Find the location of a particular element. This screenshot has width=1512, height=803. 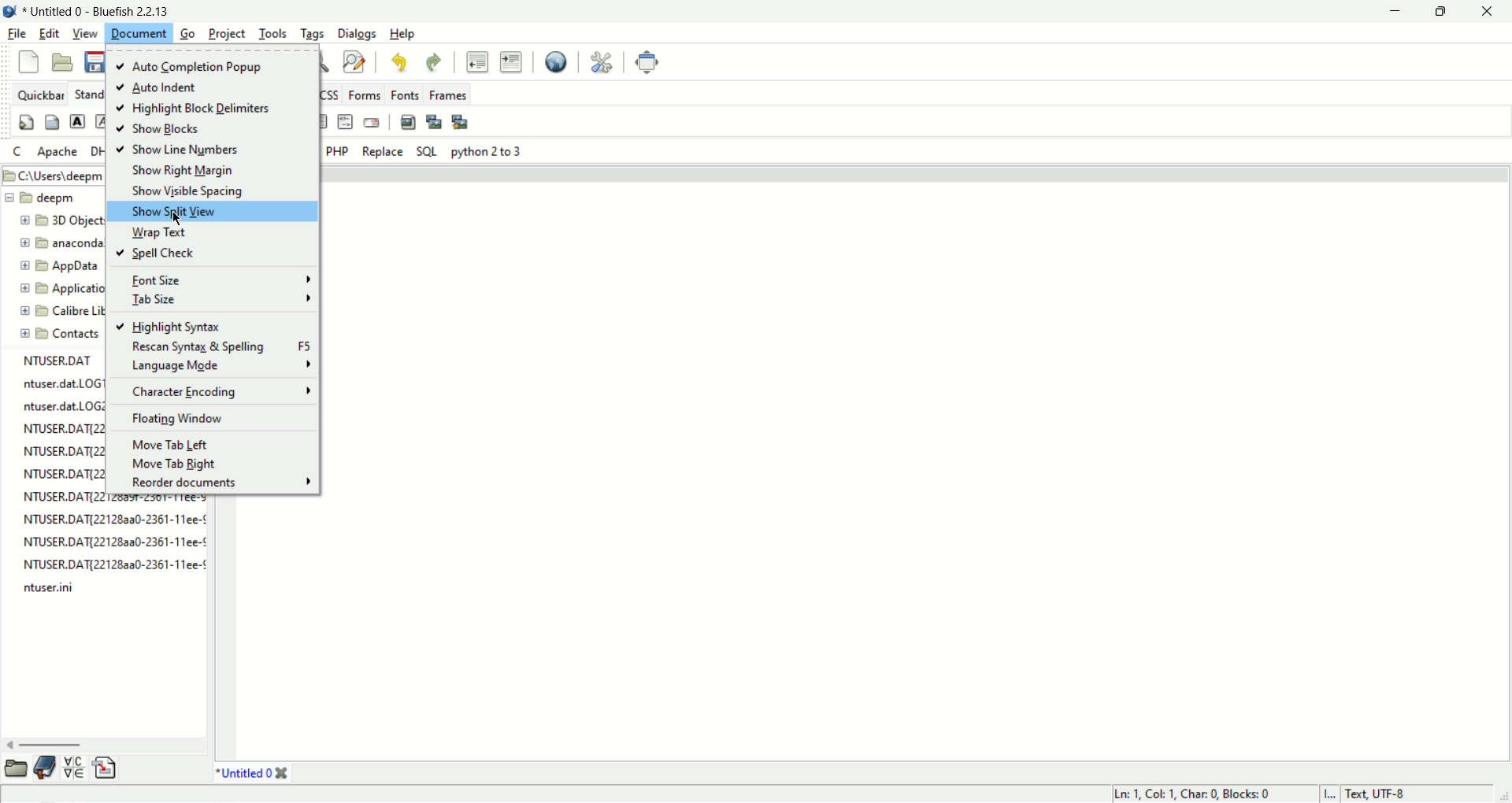

redo is located at coordinates (432, 63).